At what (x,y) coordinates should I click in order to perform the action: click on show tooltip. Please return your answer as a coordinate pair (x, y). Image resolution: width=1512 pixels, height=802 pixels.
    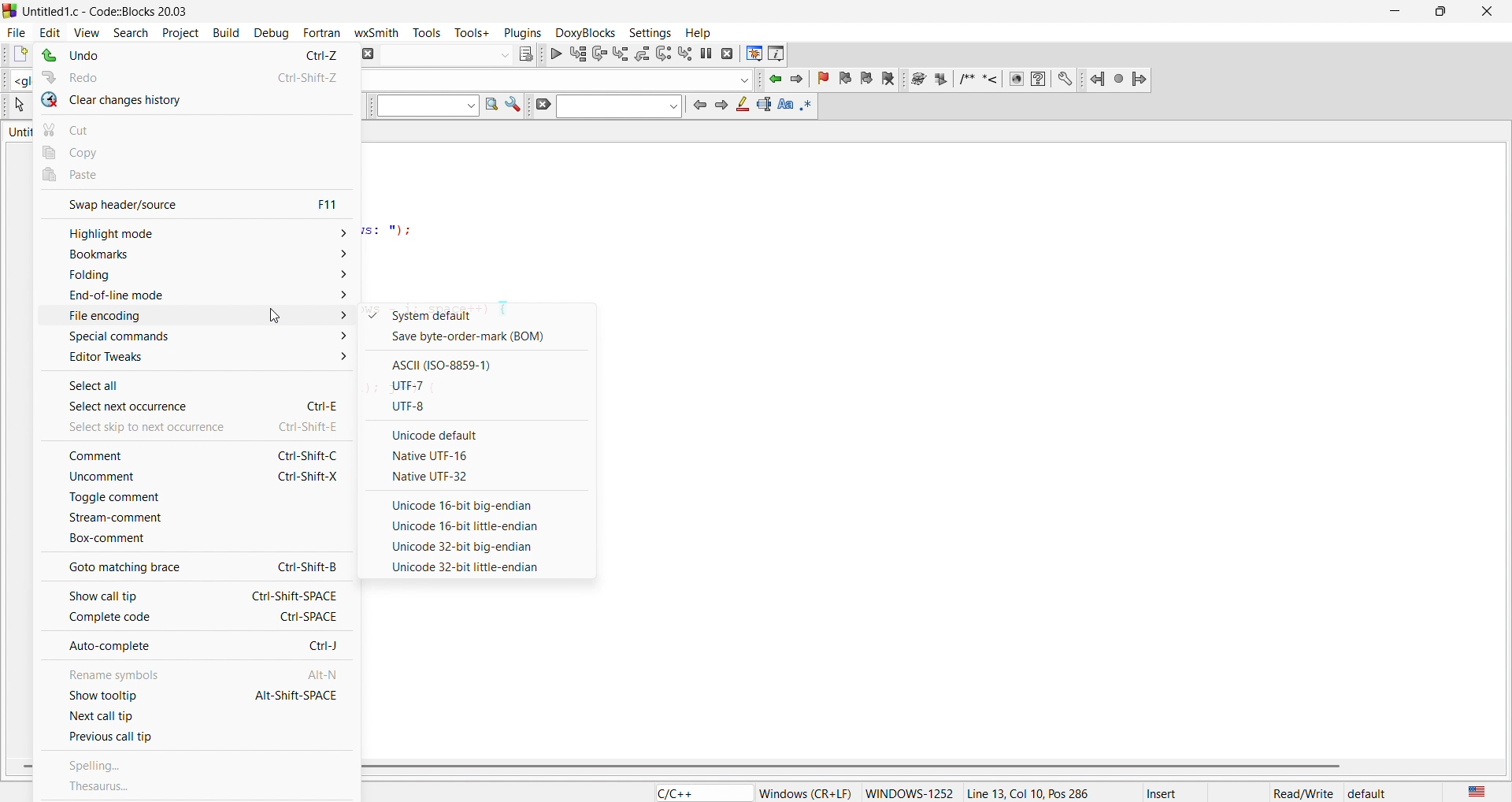
    Looking at the image, I should click on (197, 700).